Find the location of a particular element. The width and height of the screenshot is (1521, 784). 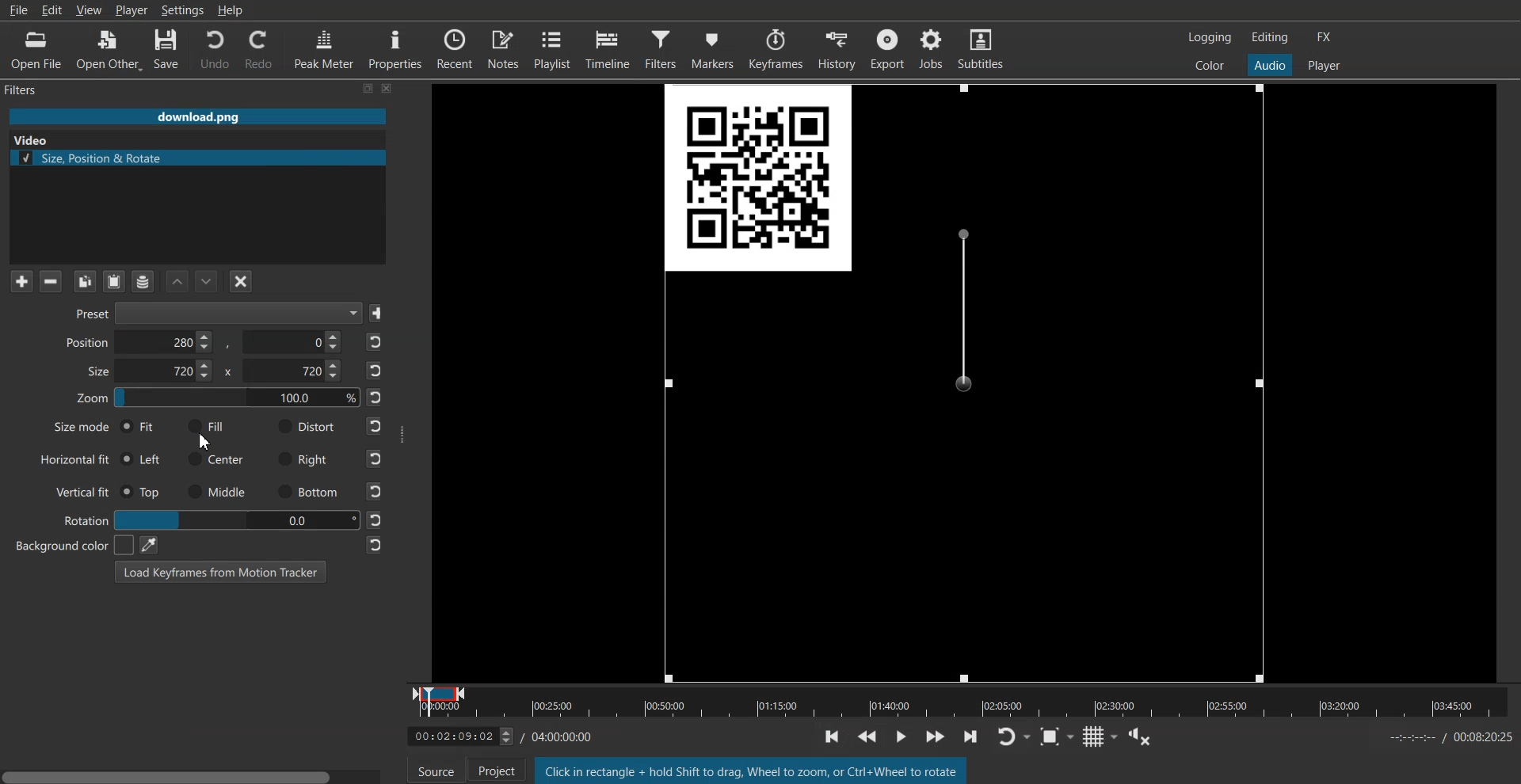

Timeline is located at coordinates (609, 48).